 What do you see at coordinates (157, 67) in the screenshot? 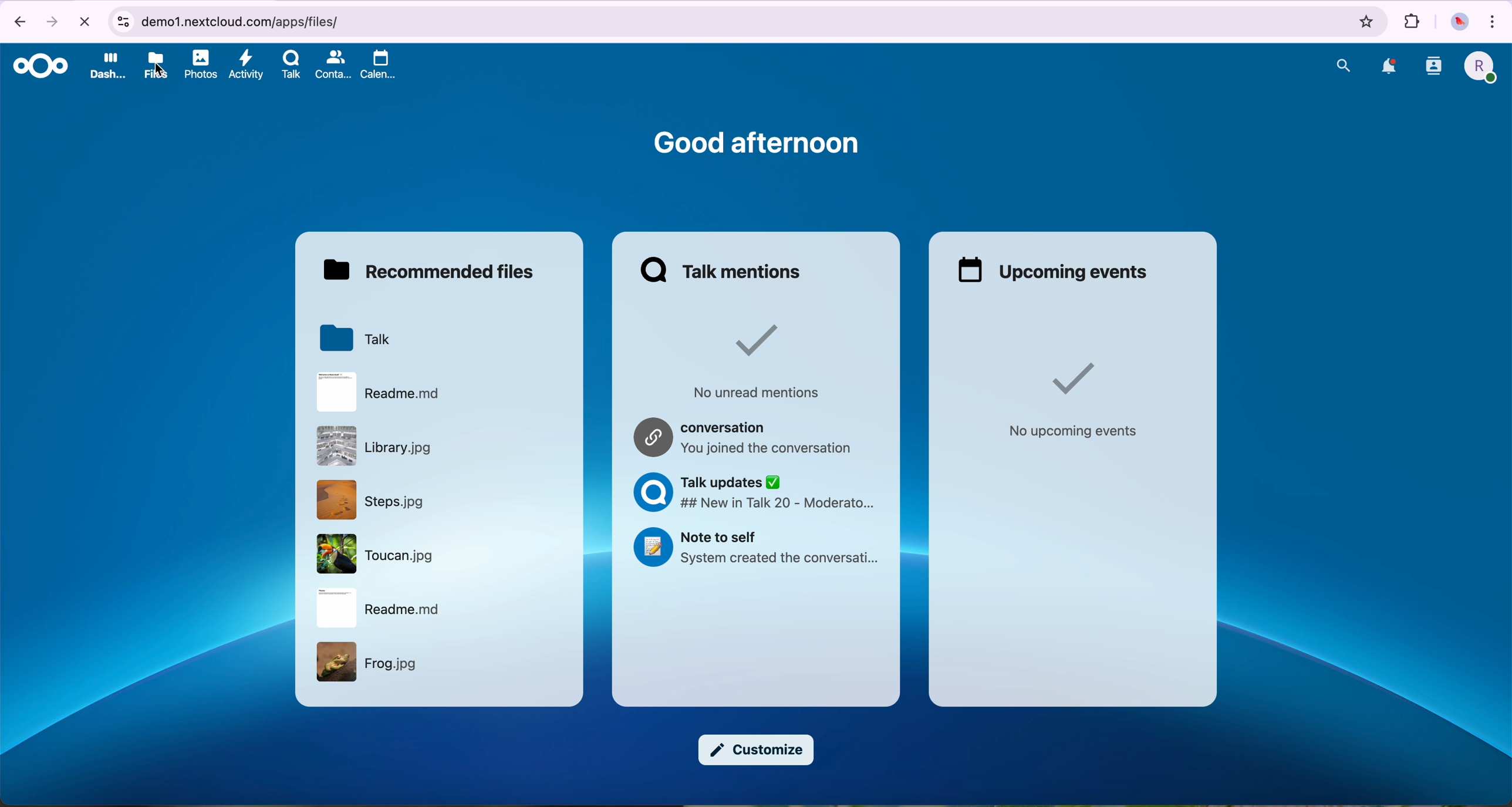
I see `files` at bounding box center [157, 67].